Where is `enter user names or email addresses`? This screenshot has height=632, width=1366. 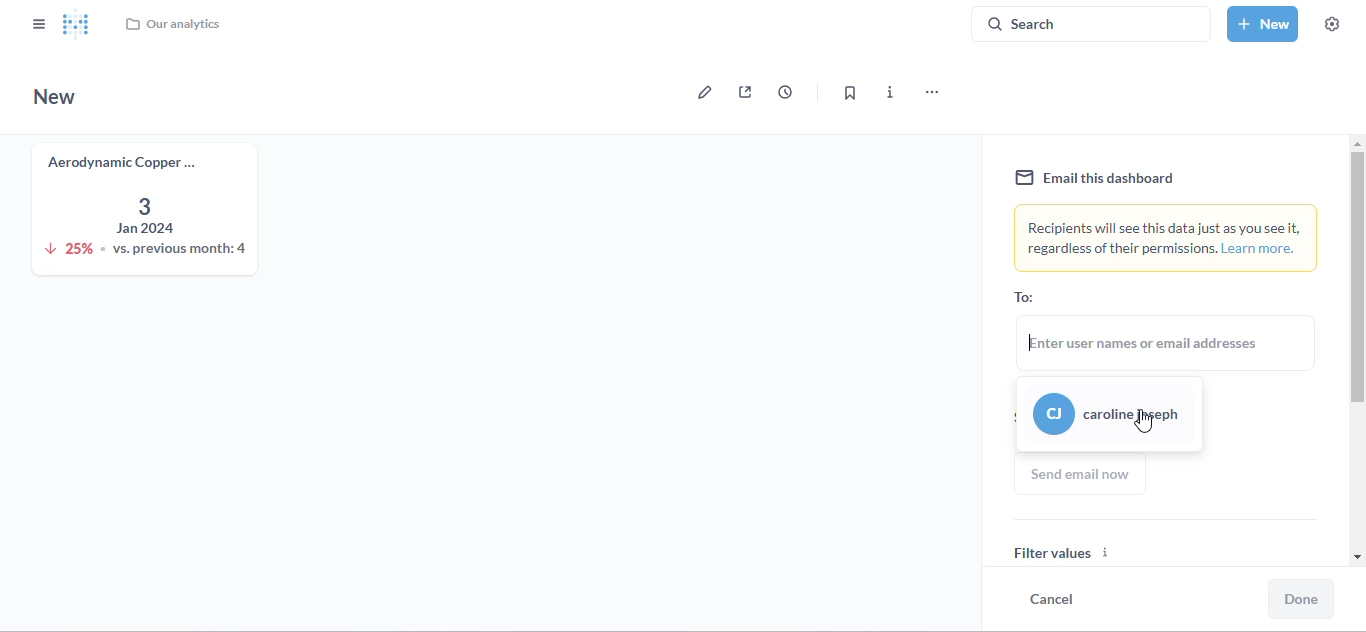 enter user names or email addresses is located at coordinates (1169, 342).